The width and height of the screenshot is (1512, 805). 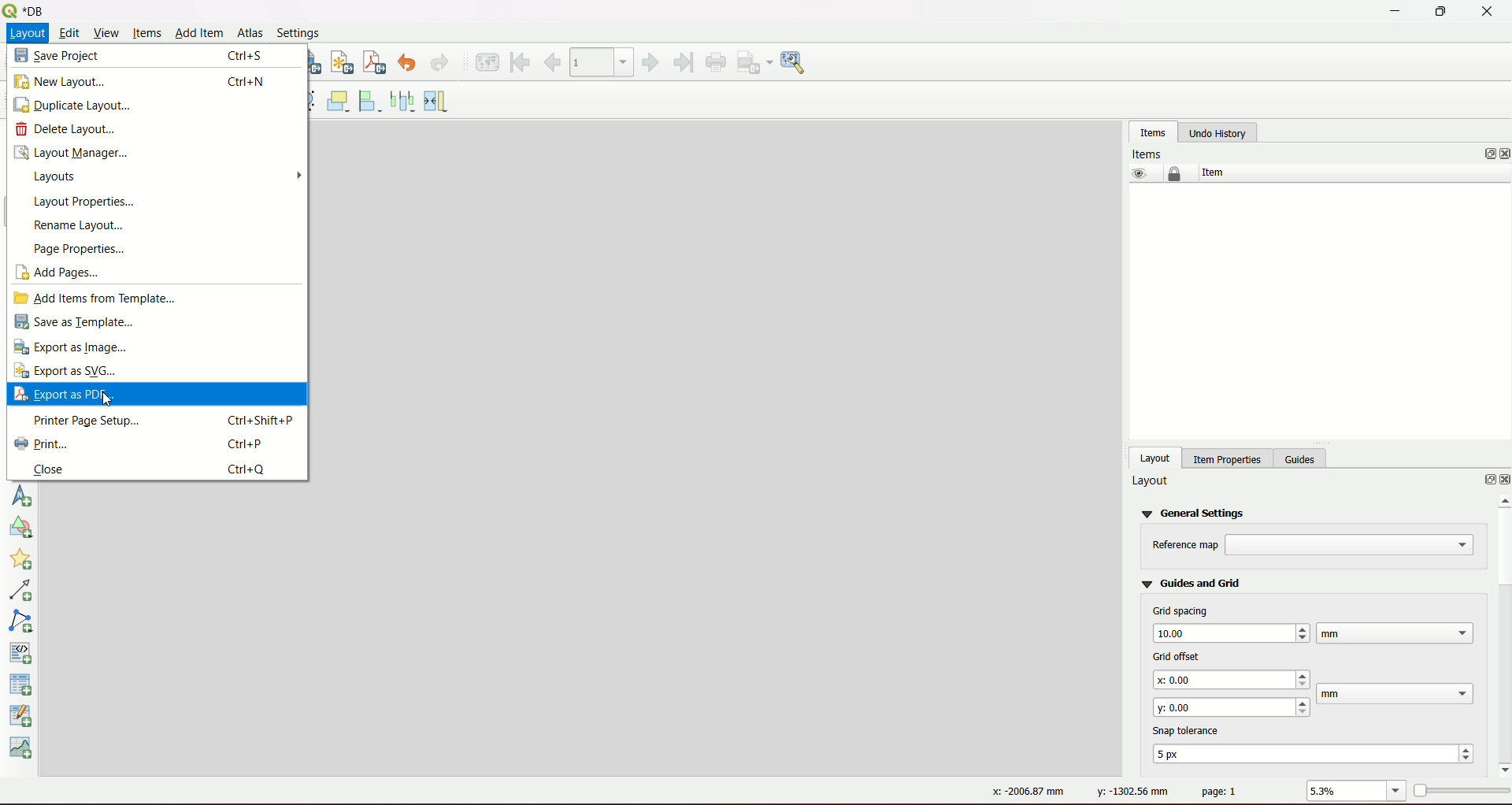 I want to click on align selected, so click(x=372, y=101).